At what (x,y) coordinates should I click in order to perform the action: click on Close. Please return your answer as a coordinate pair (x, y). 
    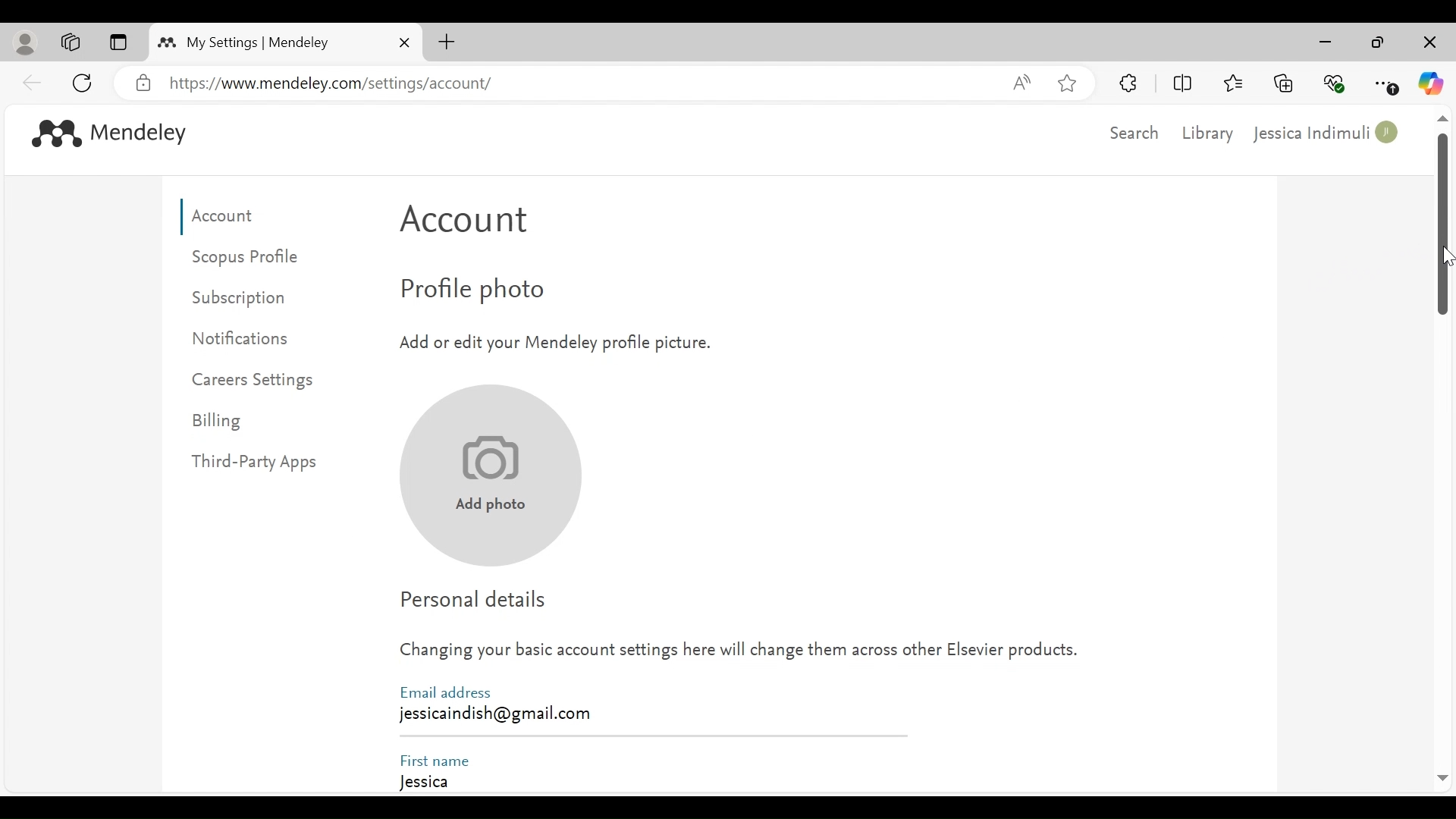
    Looking at the image, I should click on (404, 42).